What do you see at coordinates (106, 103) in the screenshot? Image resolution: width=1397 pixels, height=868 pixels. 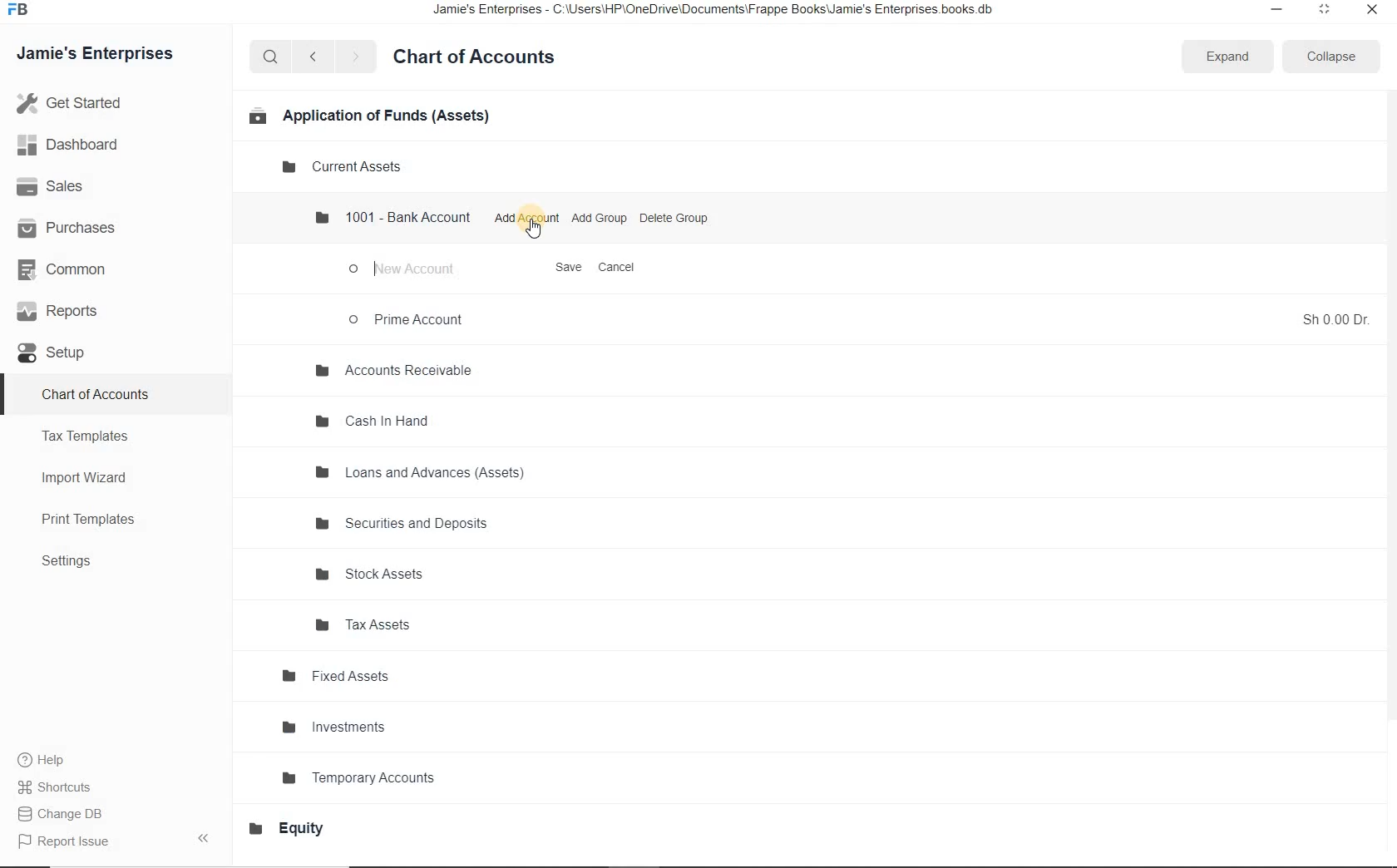 I see `Get Started` at bounding box center [106, 103].